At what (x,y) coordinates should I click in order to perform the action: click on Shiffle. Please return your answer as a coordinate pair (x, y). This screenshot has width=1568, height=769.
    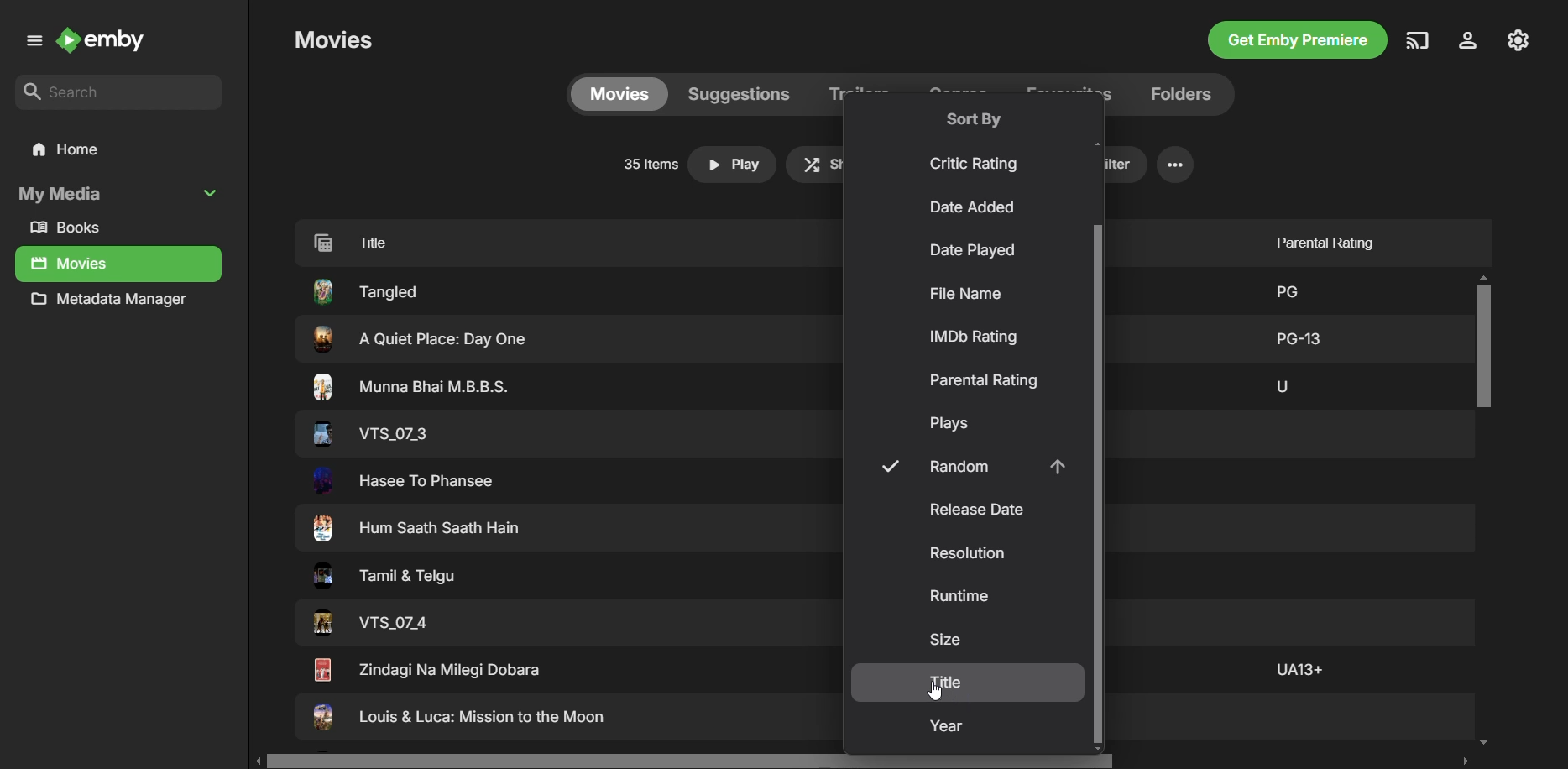
    Looking at the image, I should click on (818, 164).